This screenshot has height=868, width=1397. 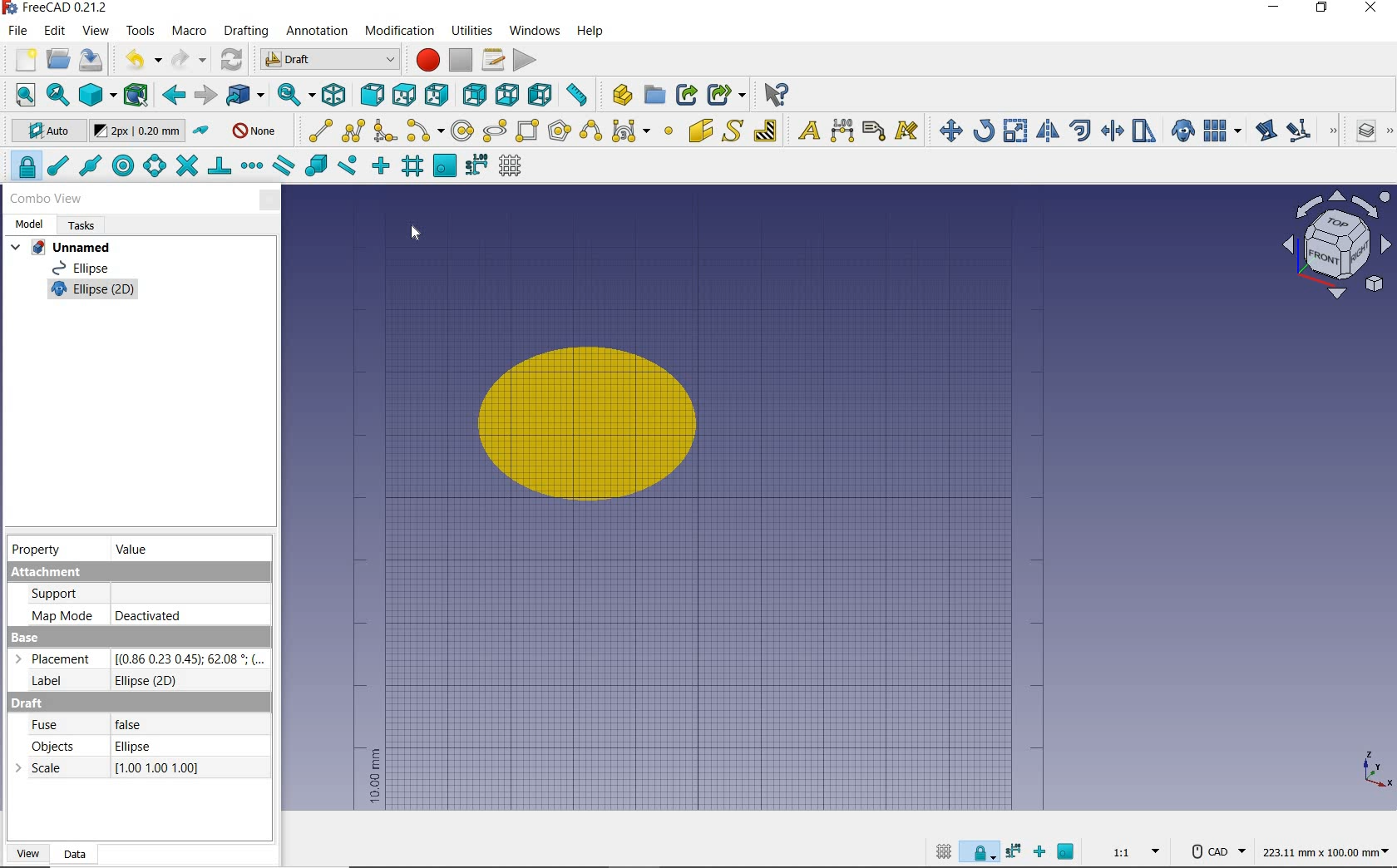 What do you see at coordinates (42, 132) in the screenshot?
I see `current working plane: auto` at bounding box center [42, 132].